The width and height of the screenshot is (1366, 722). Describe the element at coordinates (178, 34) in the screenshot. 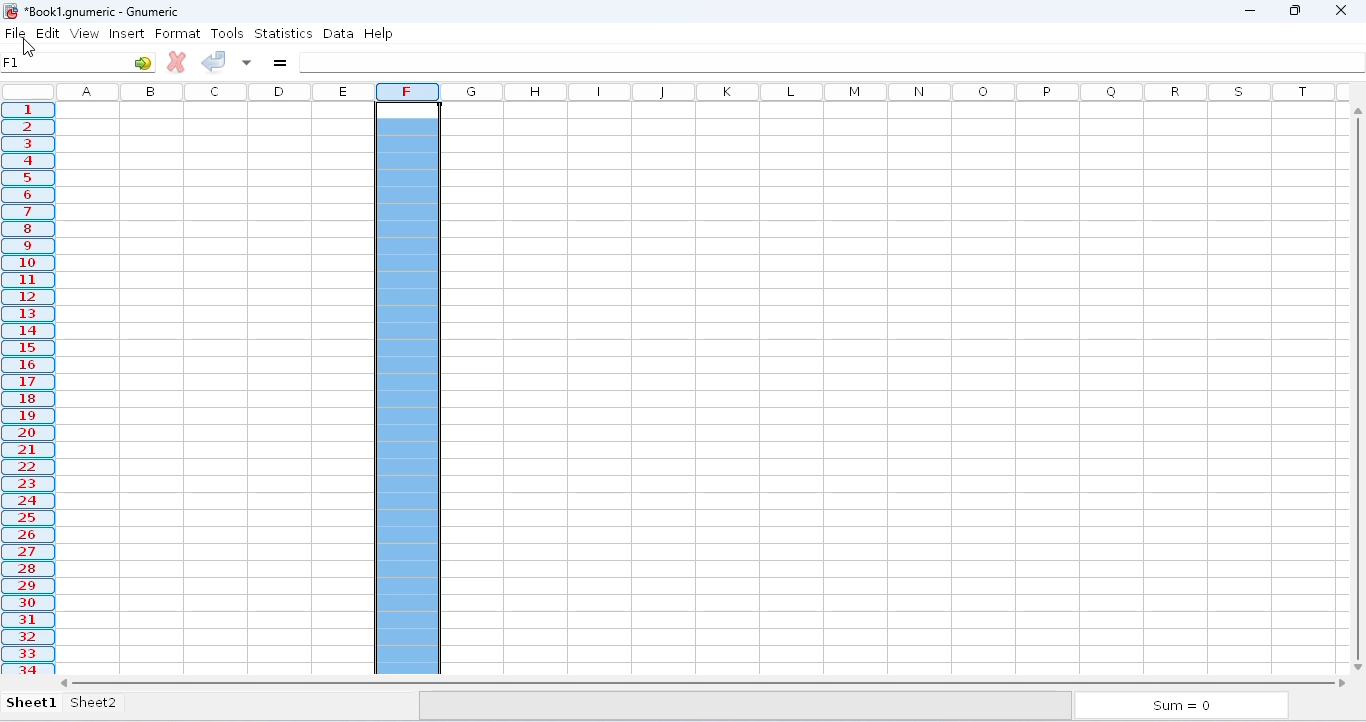

I see `format` at that location.